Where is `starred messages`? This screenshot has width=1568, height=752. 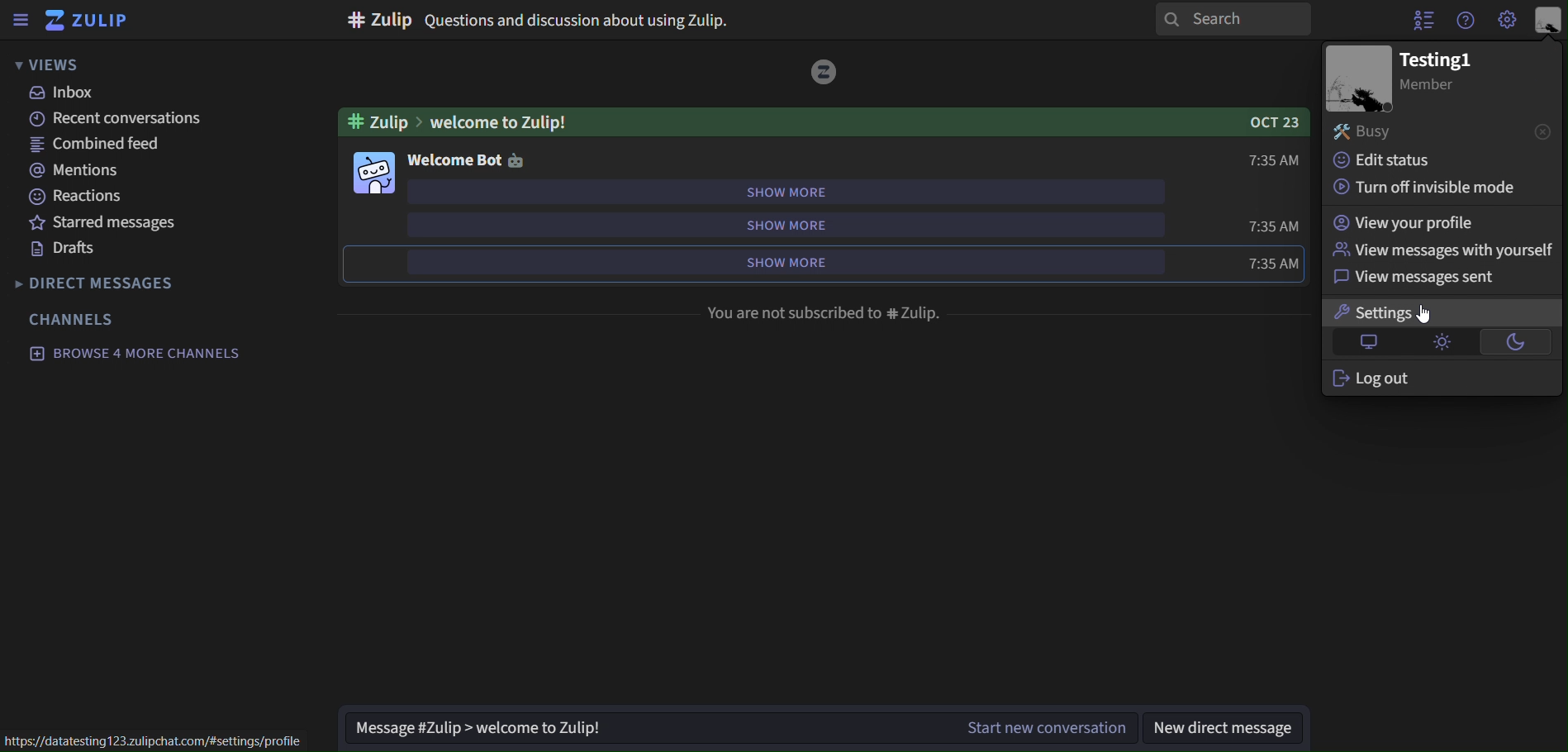
starred messages is located at coordinates (111, 224).